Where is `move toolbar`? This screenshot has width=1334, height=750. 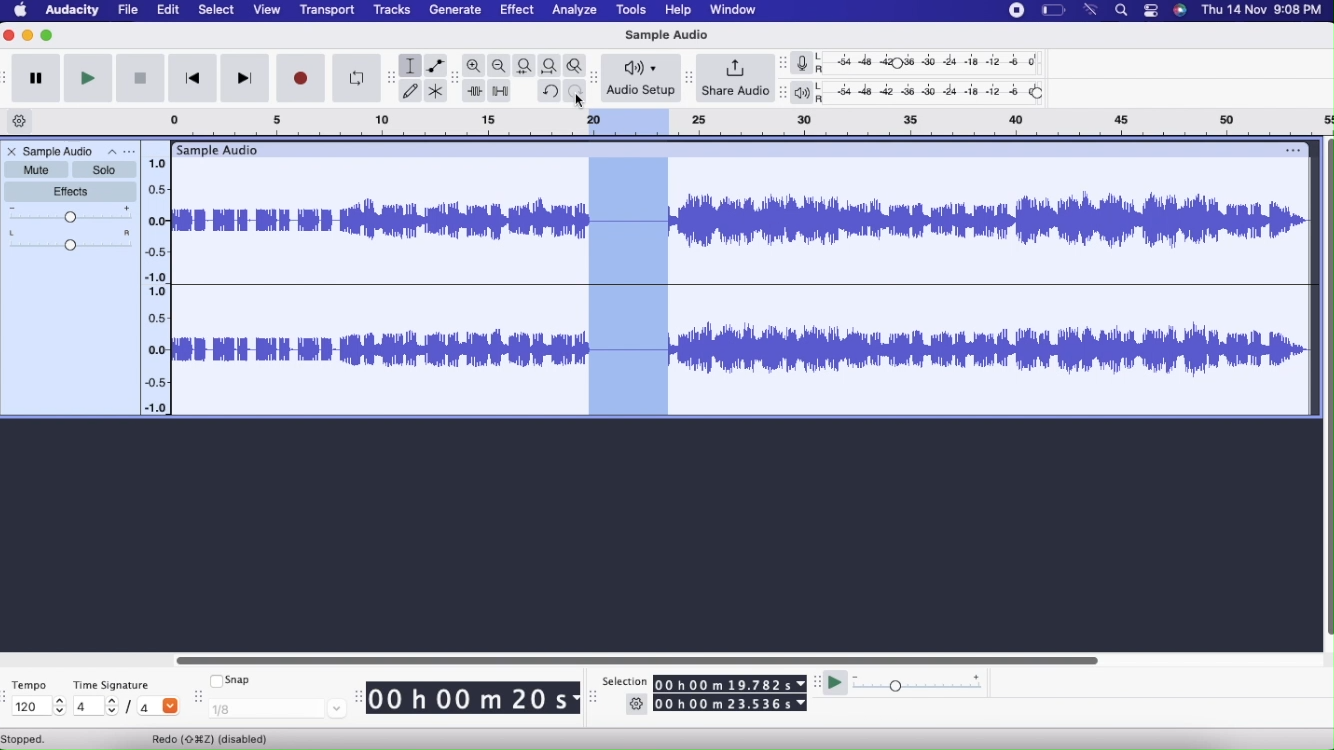
move toolbar is located at coordinates (595, 697).